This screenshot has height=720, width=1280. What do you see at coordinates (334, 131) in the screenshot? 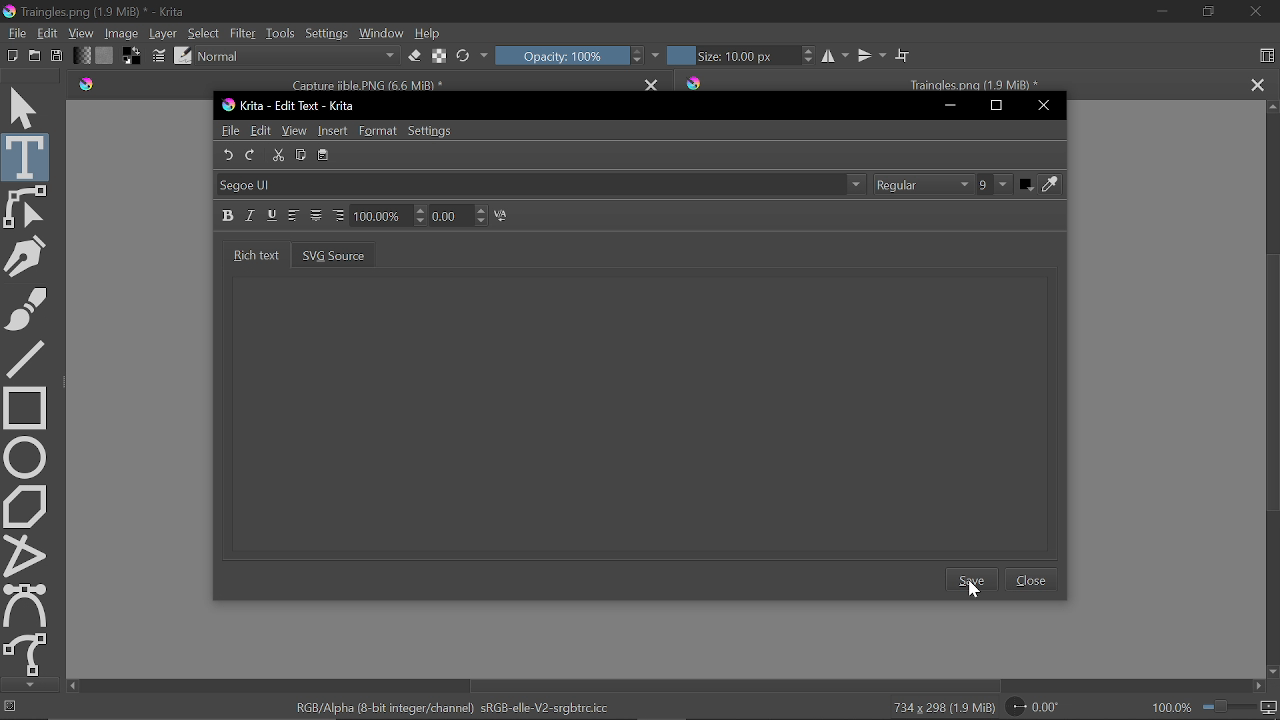
I see `Insert` at bounding box center [334, 131].